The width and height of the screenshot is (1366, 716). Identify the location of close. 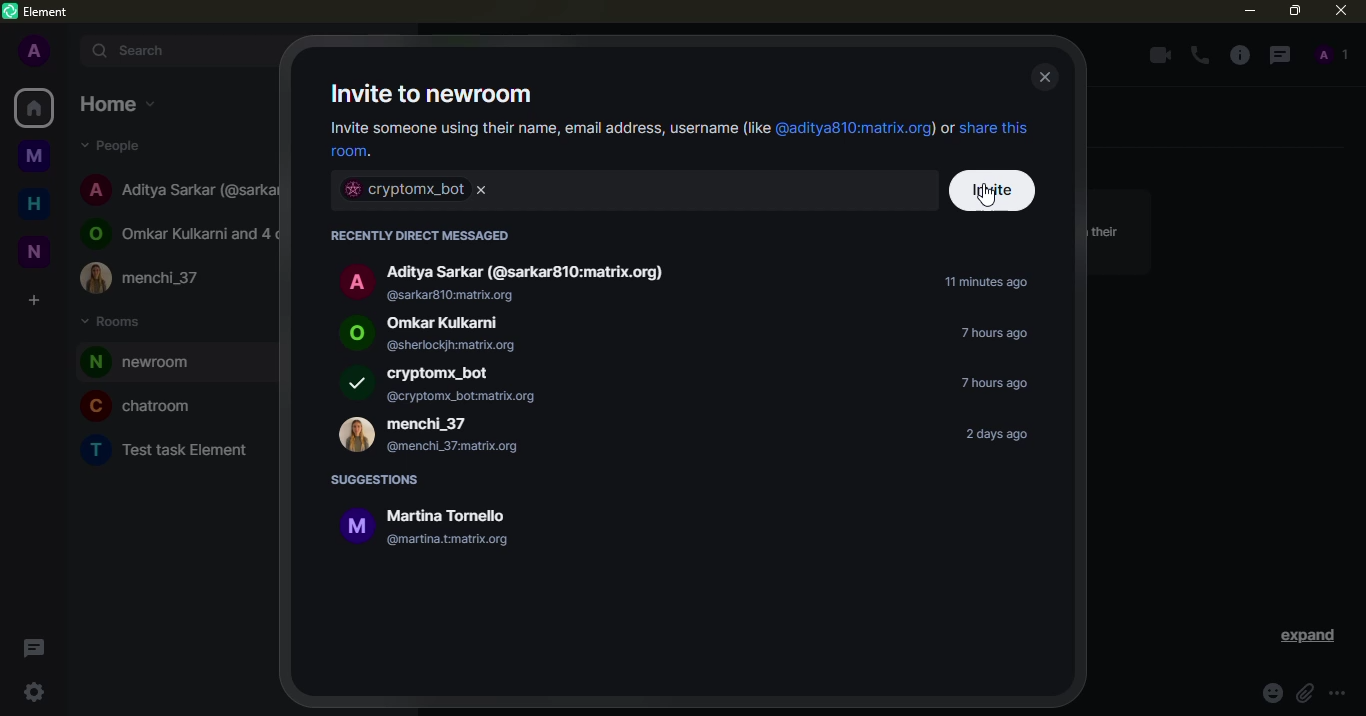
(1044, 77).